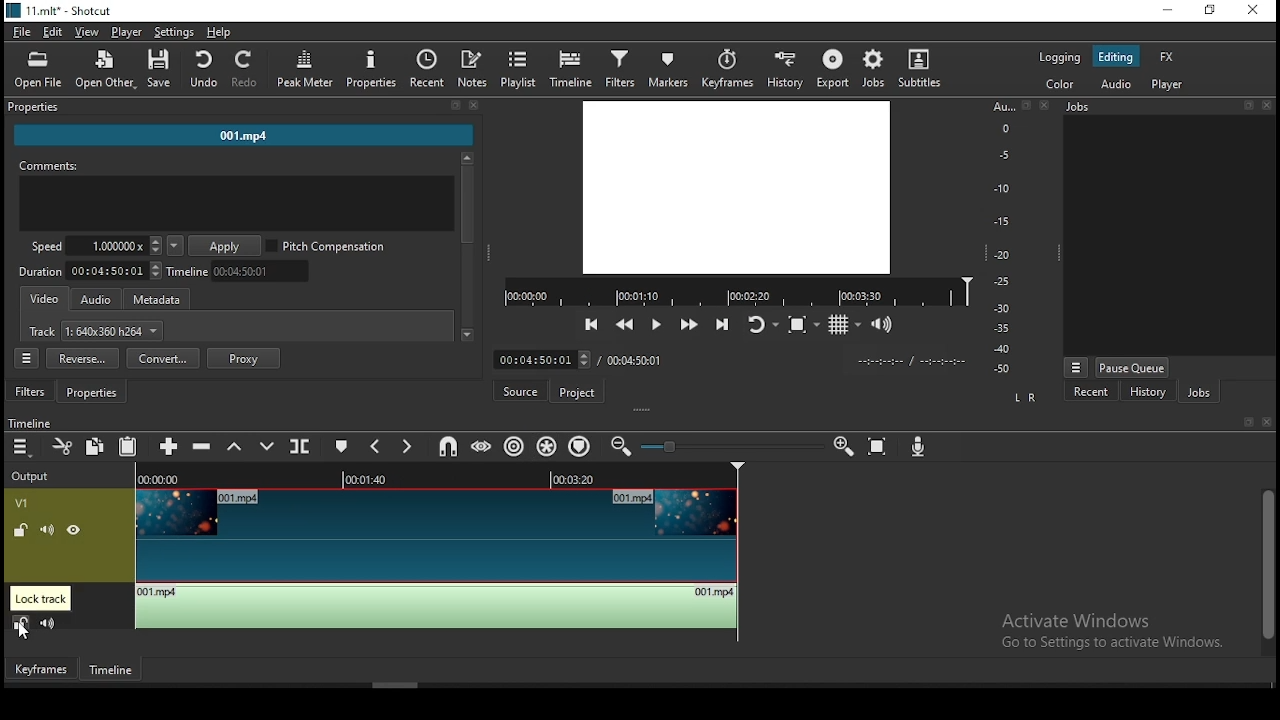 Image resolution: width=1280 pixels, height=720 pixels. What do you see at coordinates (39, 70) in the screenshot?
I see `open file` at bounding box center [39, 70].